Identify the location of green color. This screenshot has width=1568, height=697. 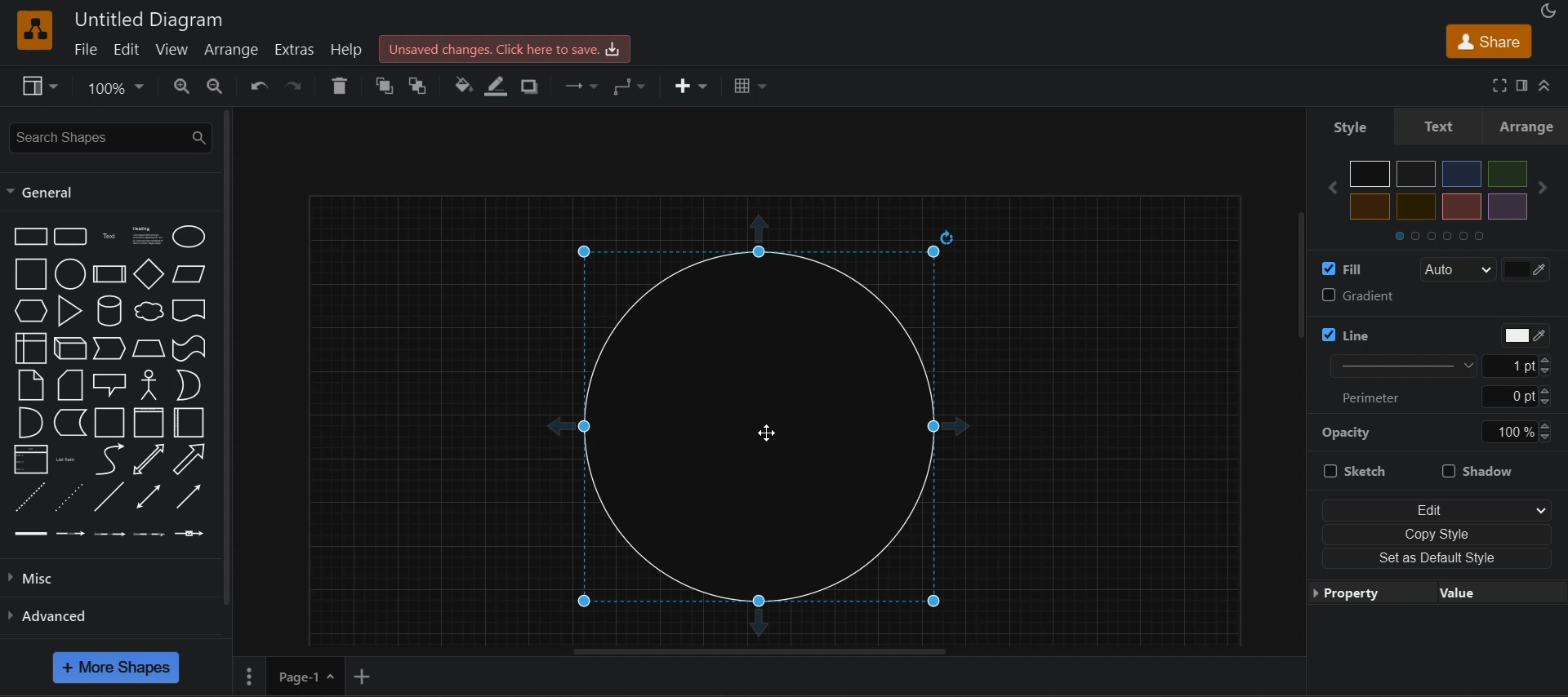
(1508, 175).